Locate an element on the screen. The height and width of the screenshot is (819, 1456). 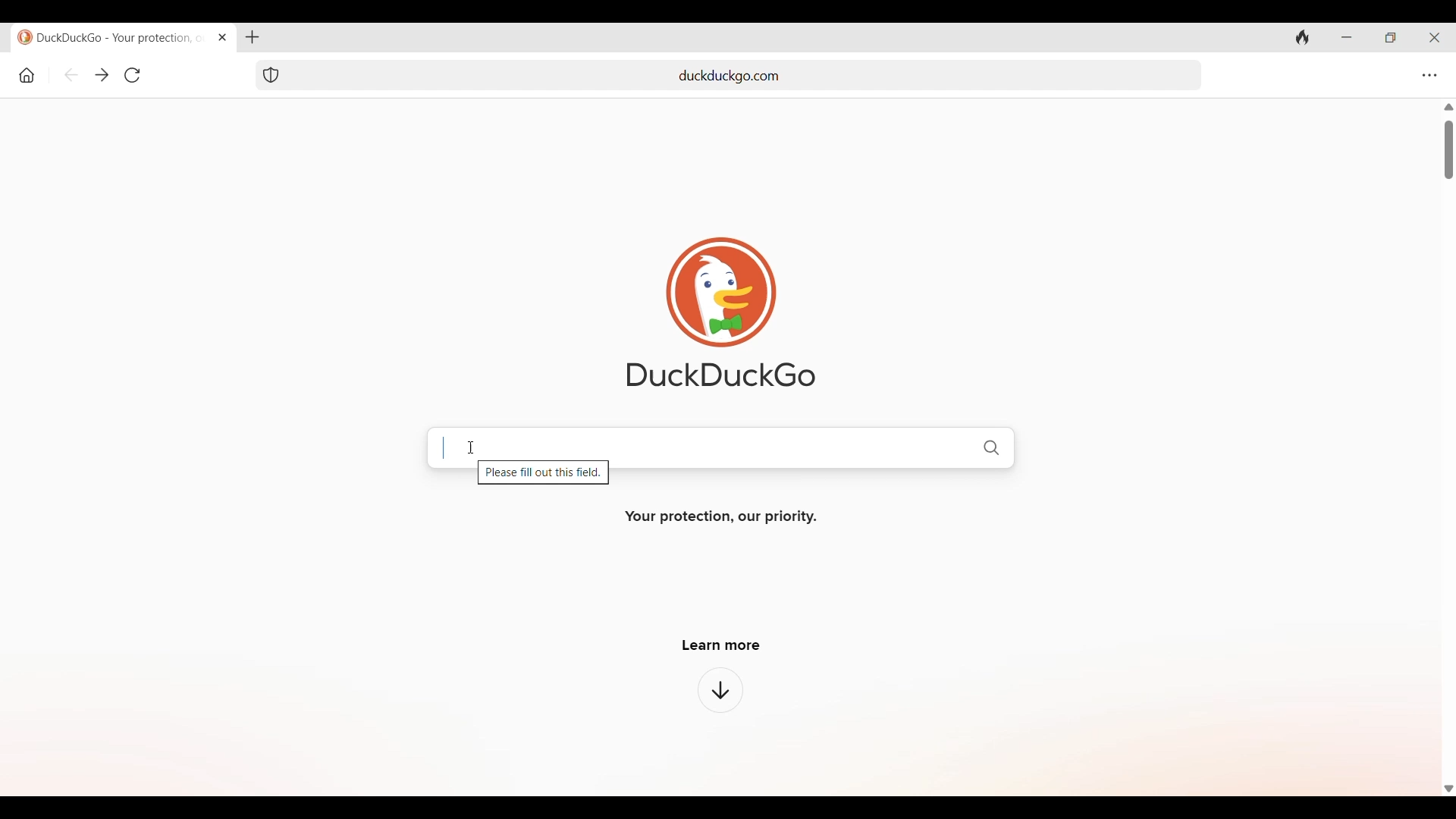
Go backward is located at coordinates (72, 75).